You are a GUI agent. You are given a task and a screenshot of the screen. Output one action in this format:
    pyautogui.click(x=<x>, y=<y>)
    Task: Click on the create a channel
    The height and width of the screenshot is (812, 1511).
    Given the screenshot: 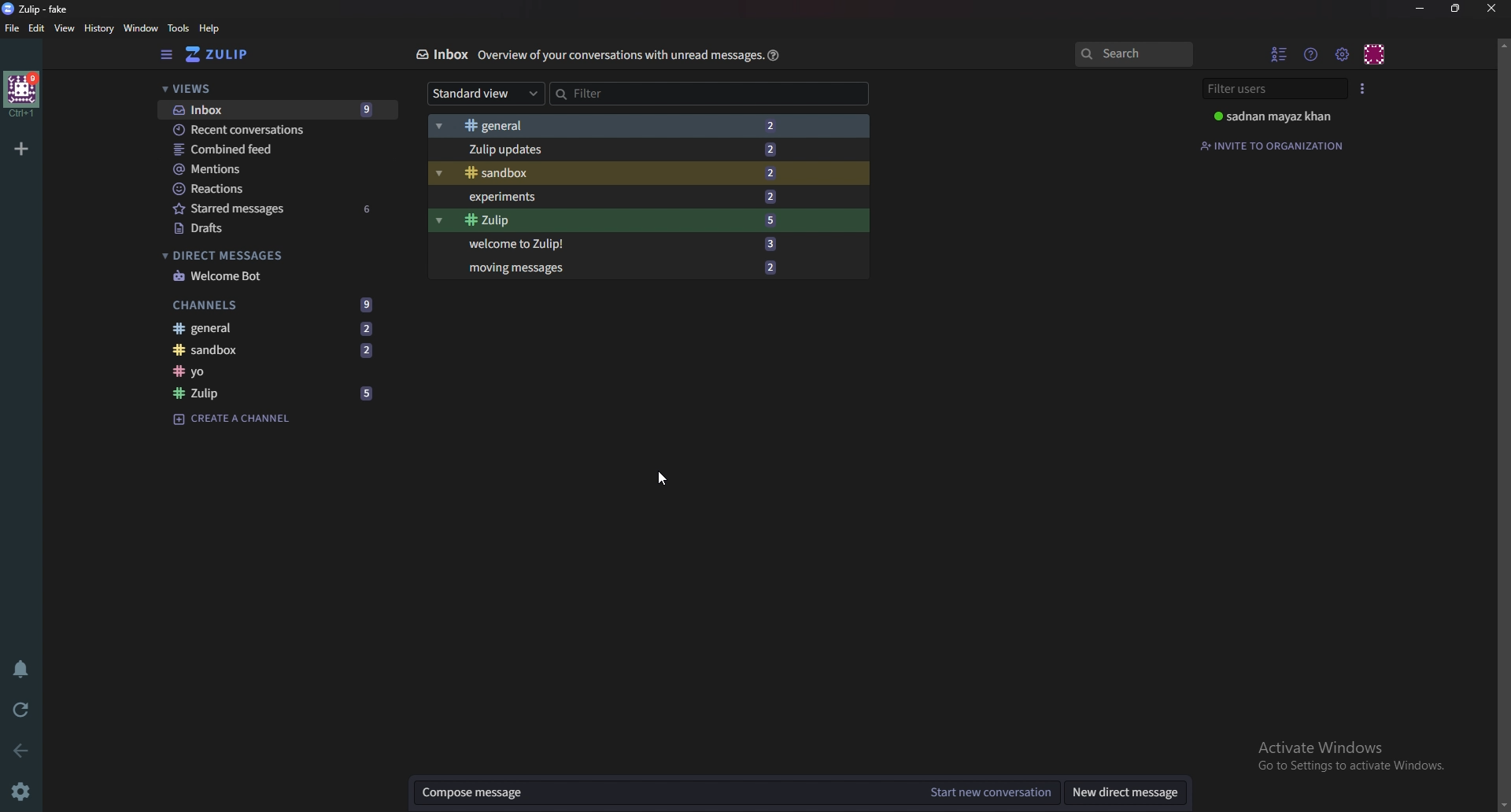 What is the action you would take?
    pyautogui.click(x=242, y=420)
    